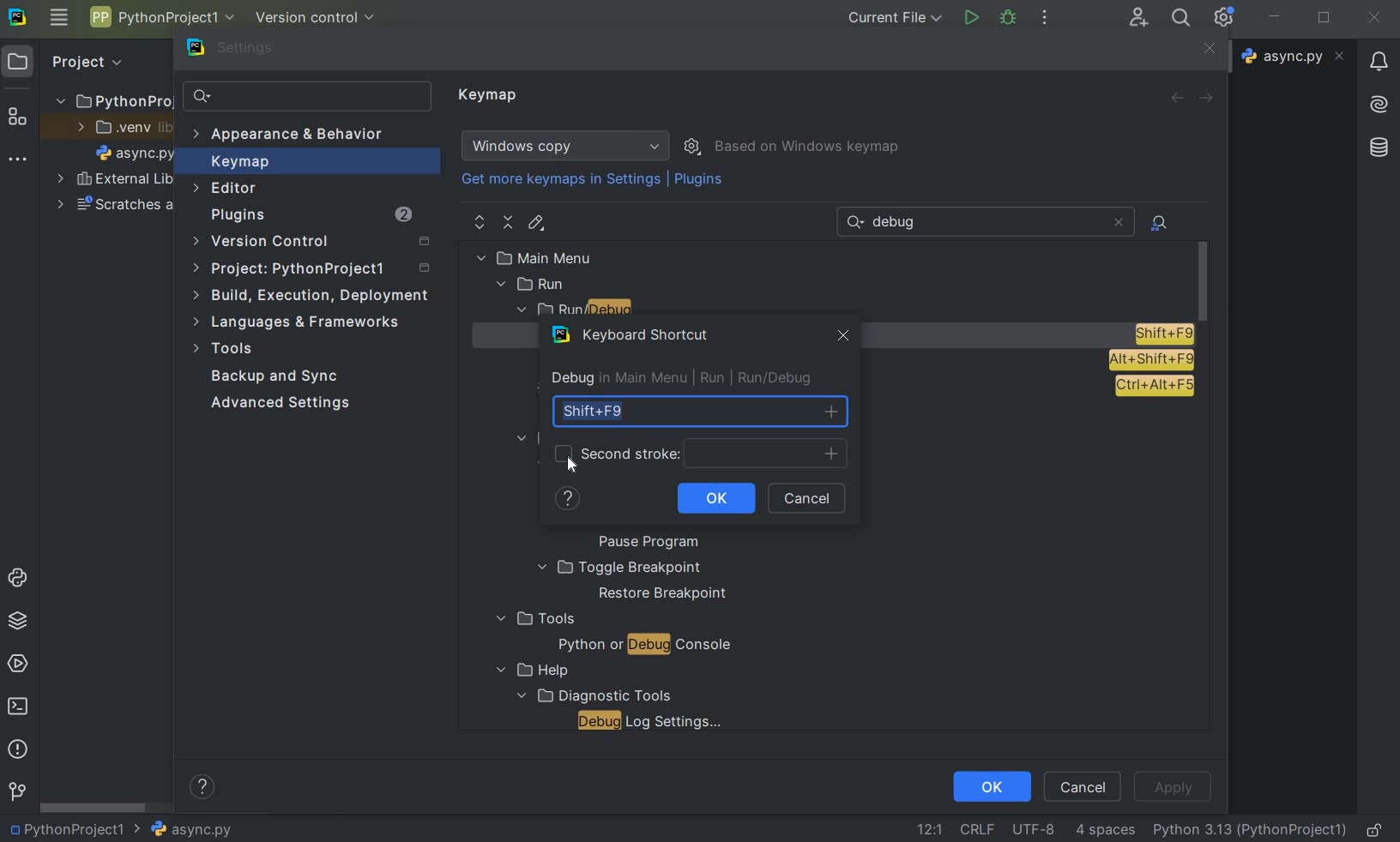  What do you see at coordinates (1154, 387) in the screenshot?
I see `Ctrl+Alt+F5` at bounding box center [1154, 387].